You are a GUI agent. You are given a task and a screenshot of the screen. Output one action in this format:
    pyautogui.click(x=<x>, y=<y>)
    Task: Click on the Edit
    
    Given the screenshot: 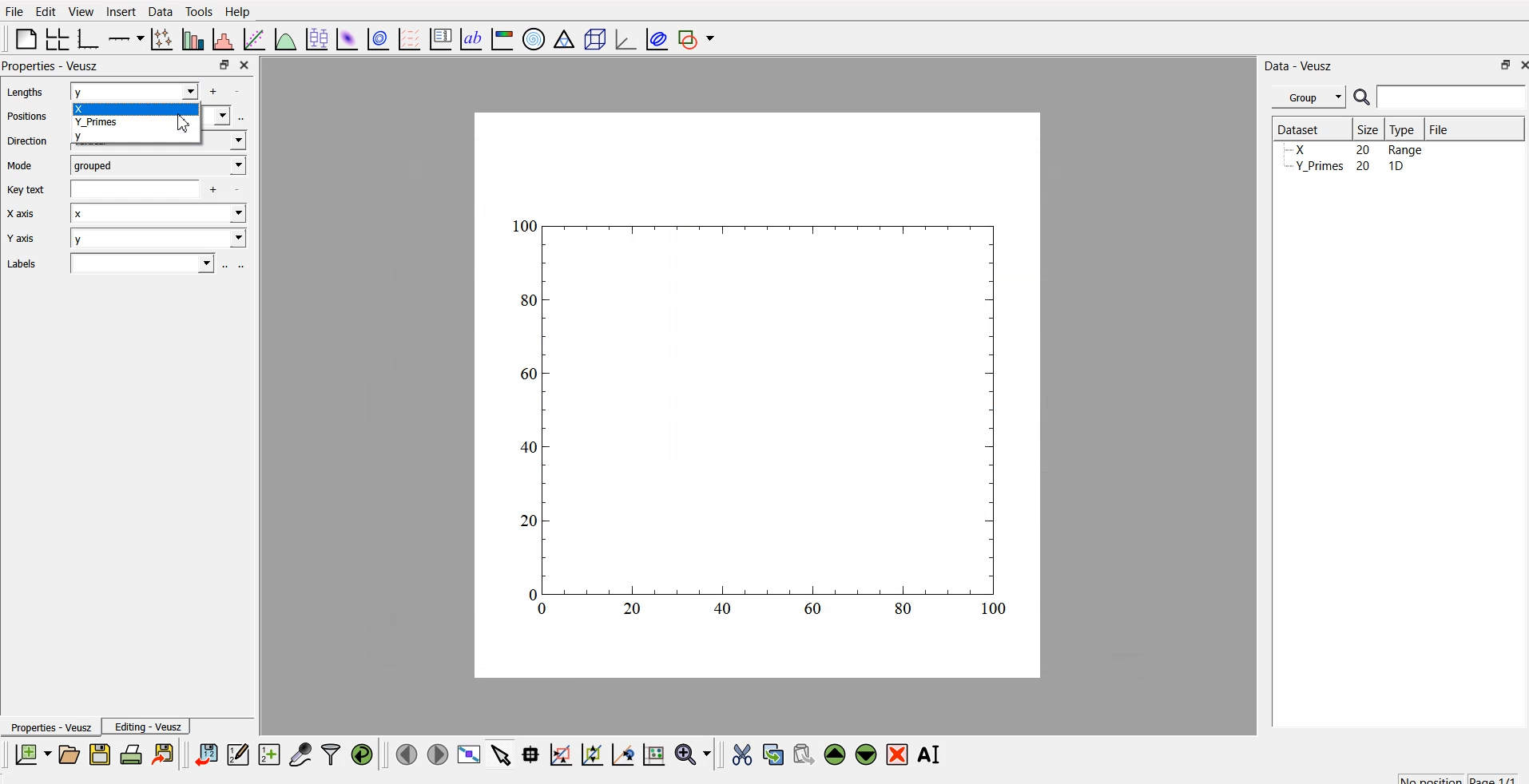 What is the action you would take?
    pyautogui.click(x=43, y=10)
    